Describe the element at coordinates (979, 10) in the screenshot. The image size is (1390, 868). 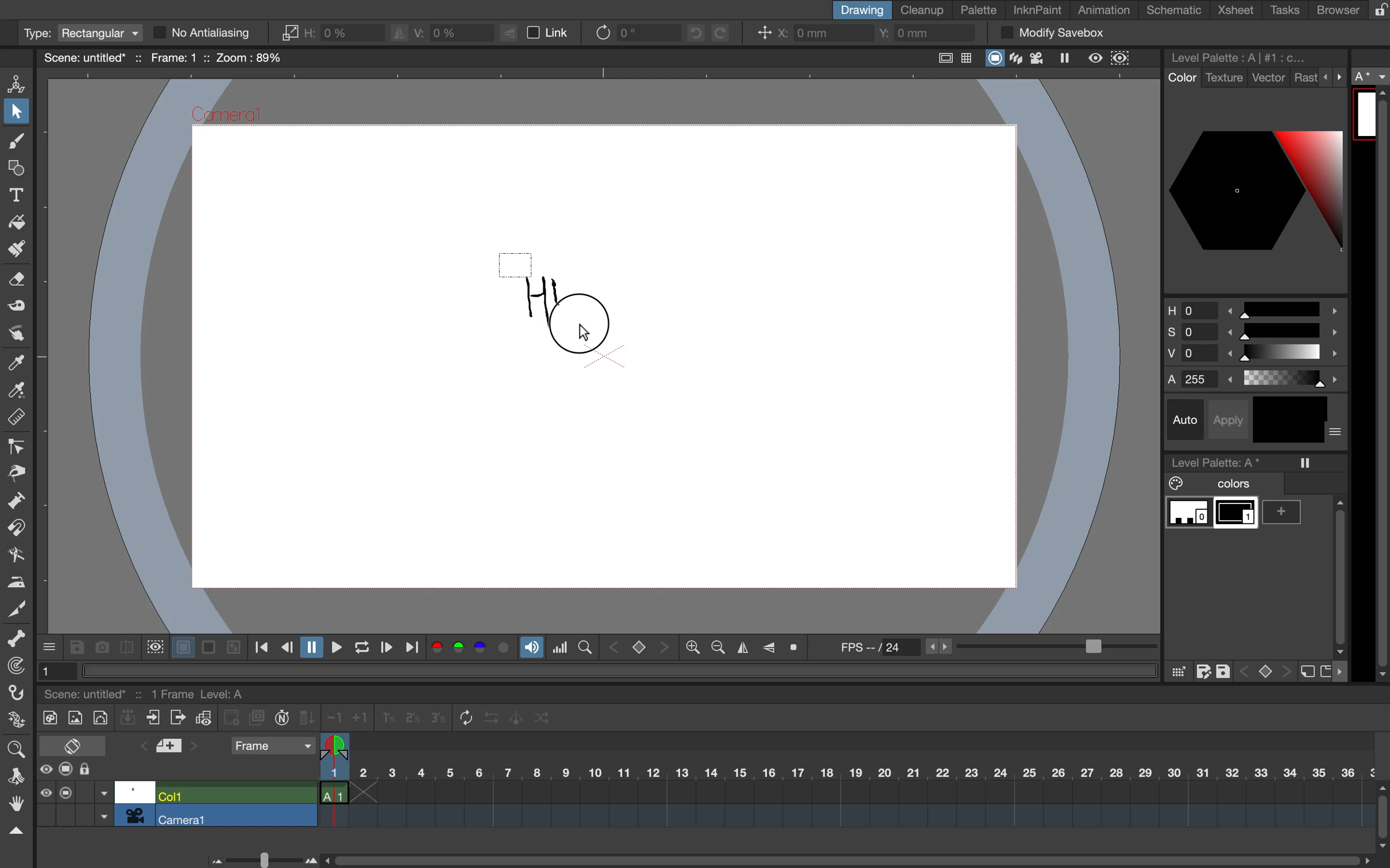
I see `palette` at that location.